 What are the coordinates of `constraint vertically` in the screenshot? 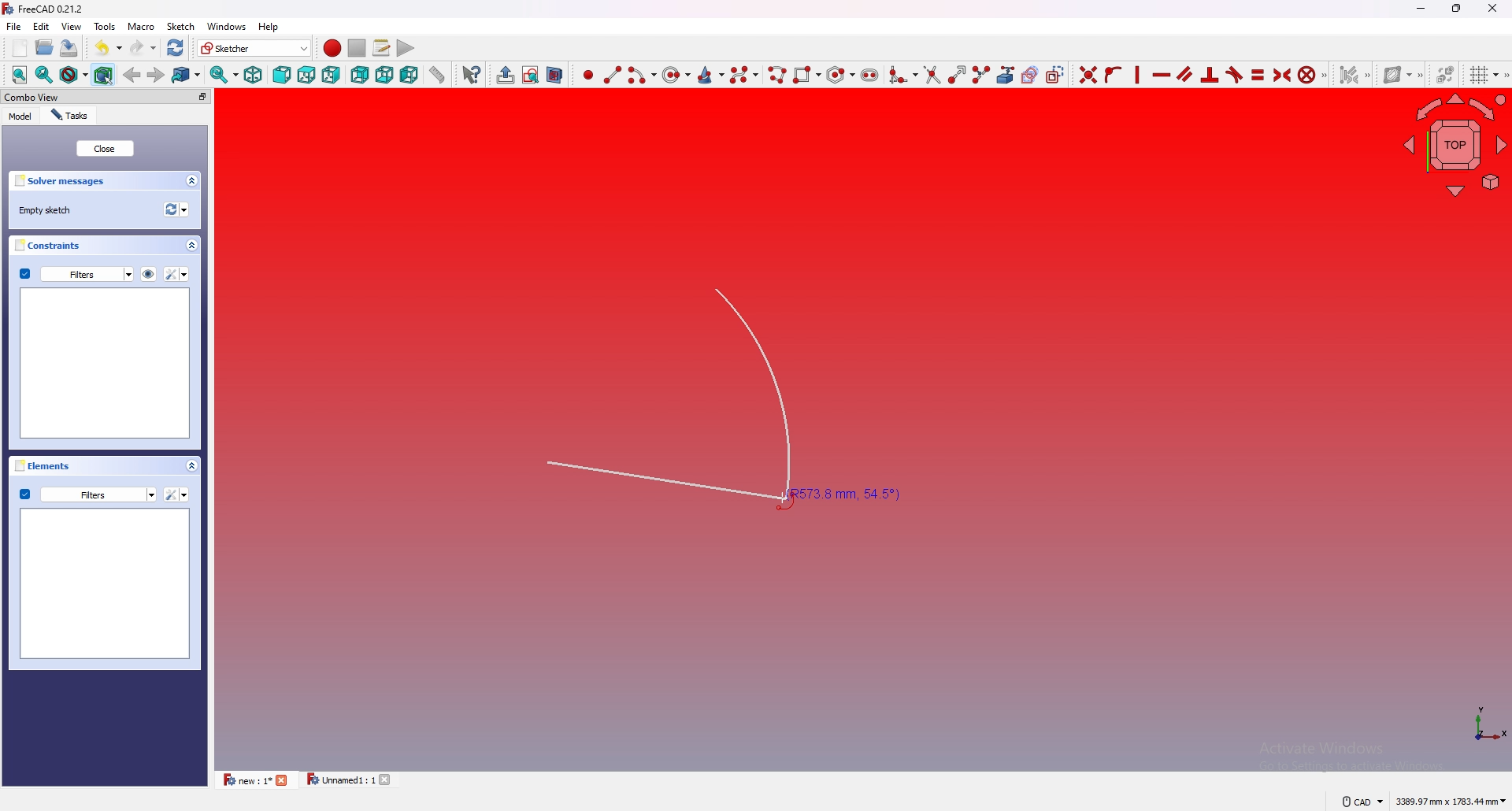 It's located at (1139, 73).